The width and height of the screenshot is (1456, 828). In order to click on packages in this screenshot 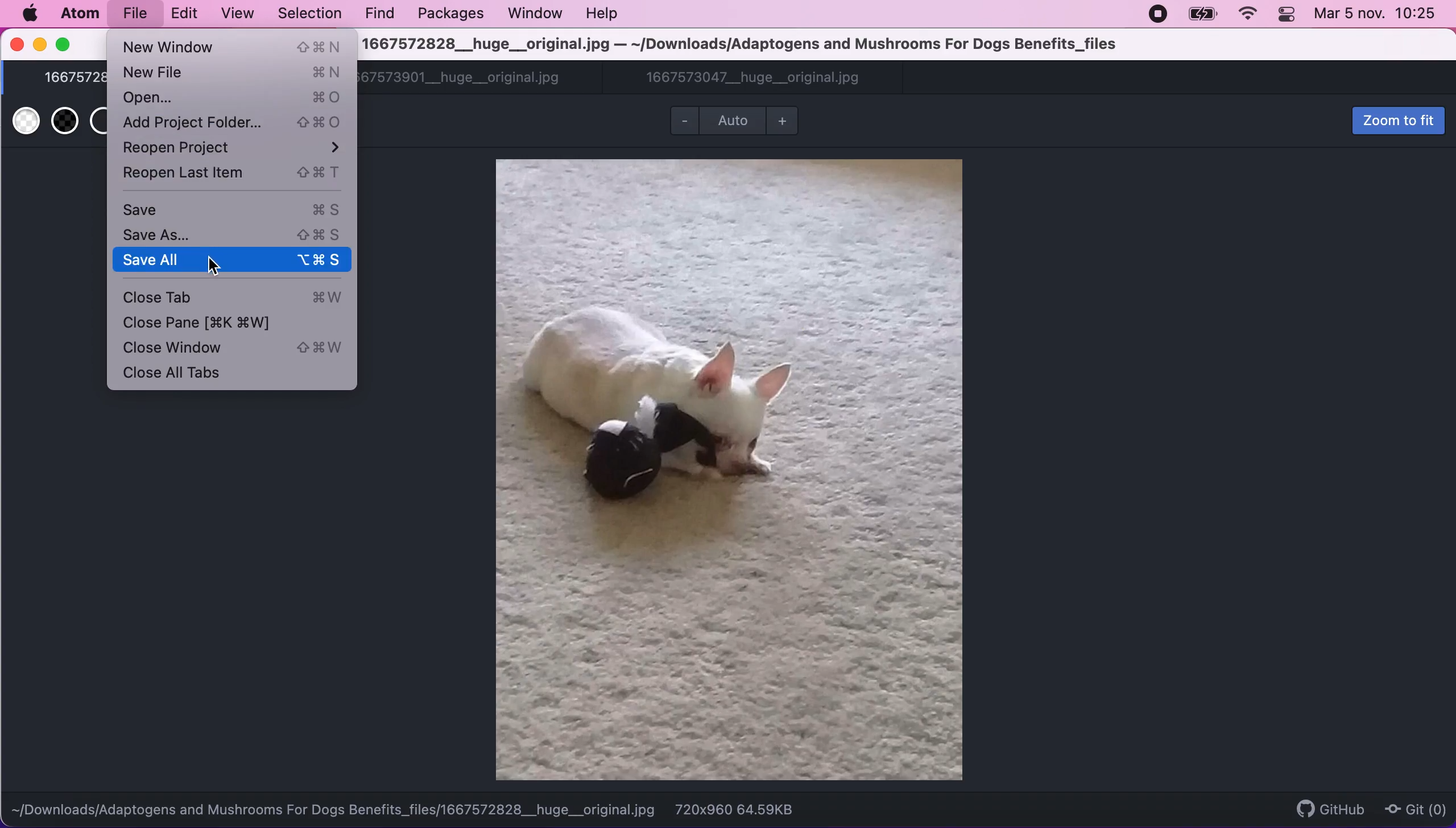, I will do `click(452, 16)`.